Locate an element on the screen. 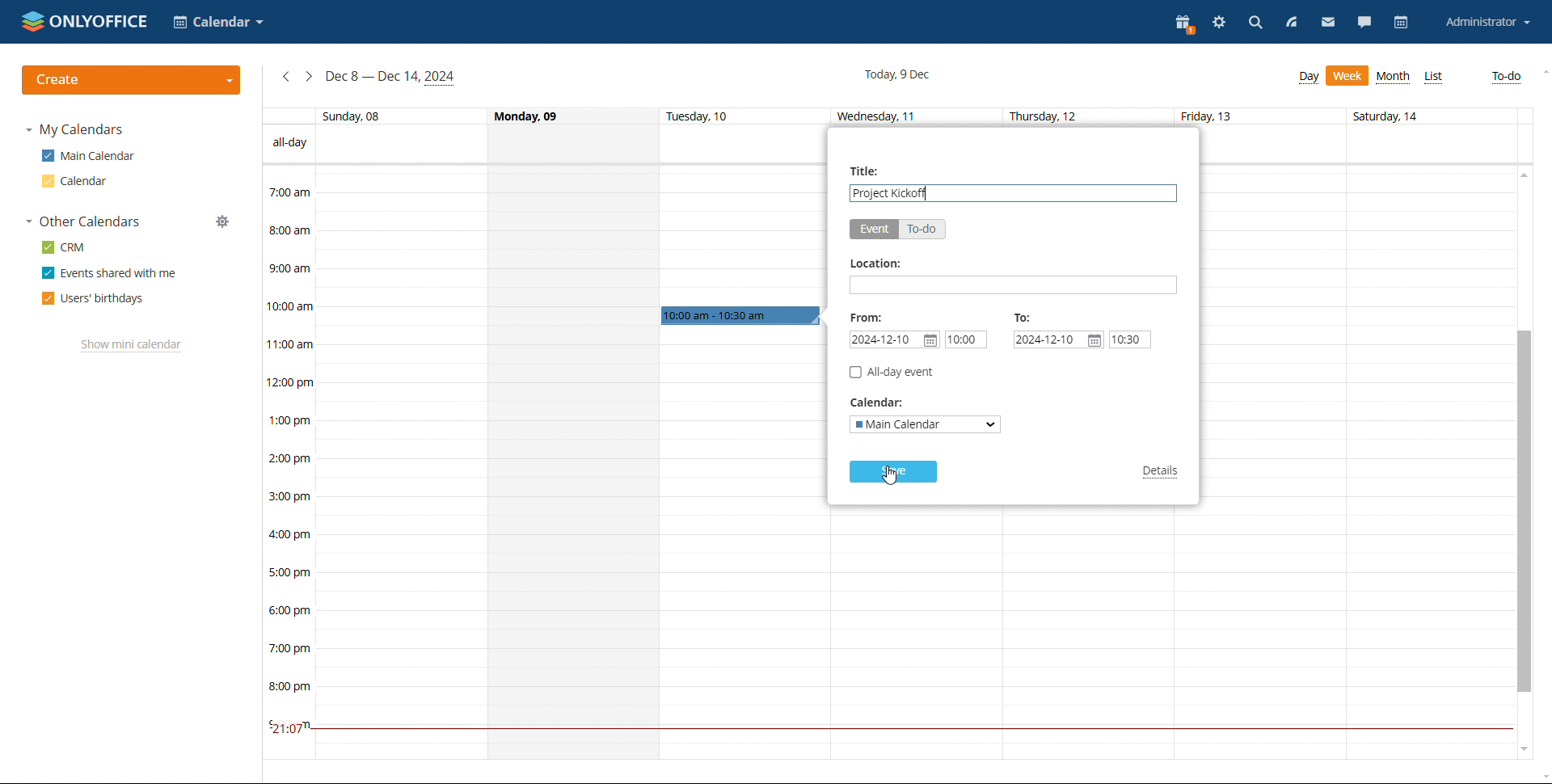  to-do is located at coordinates (1508, 78).